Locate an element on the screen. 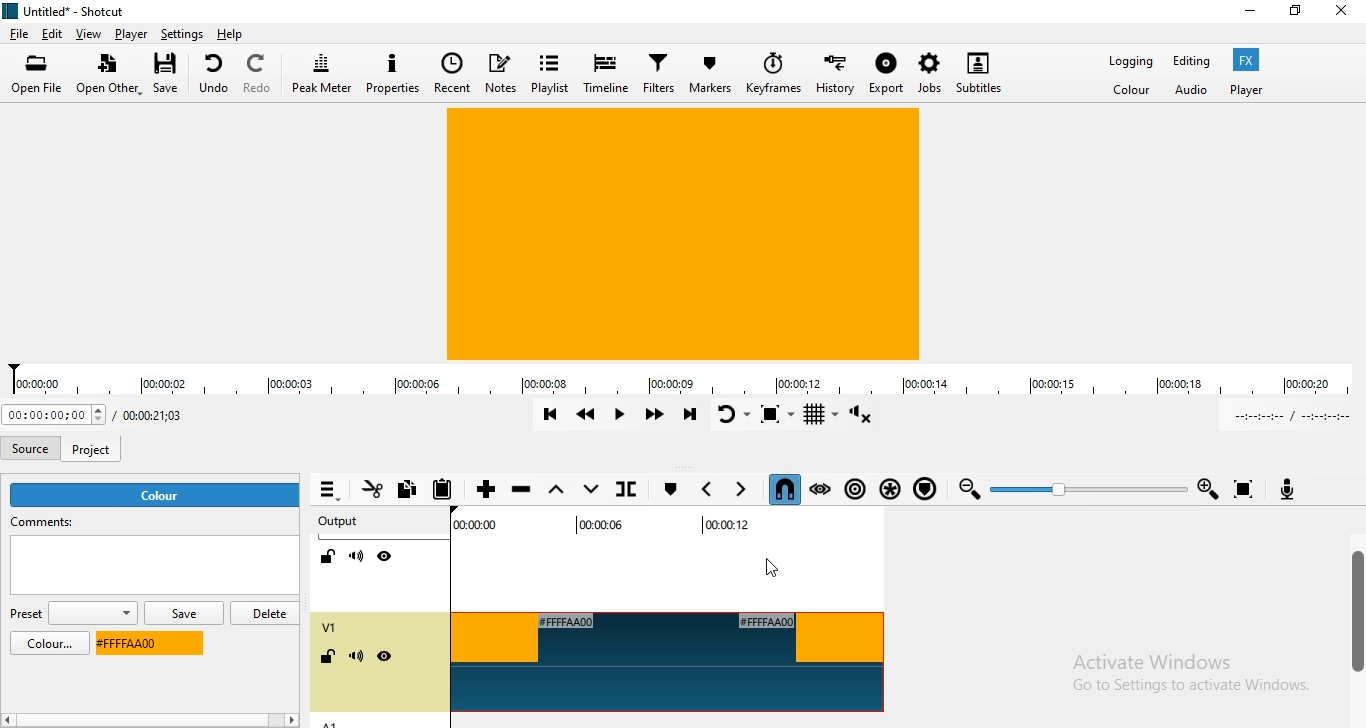 The height and width of the screenshot is (728, 1366). Zoom out is located at coordinates (965, 492).